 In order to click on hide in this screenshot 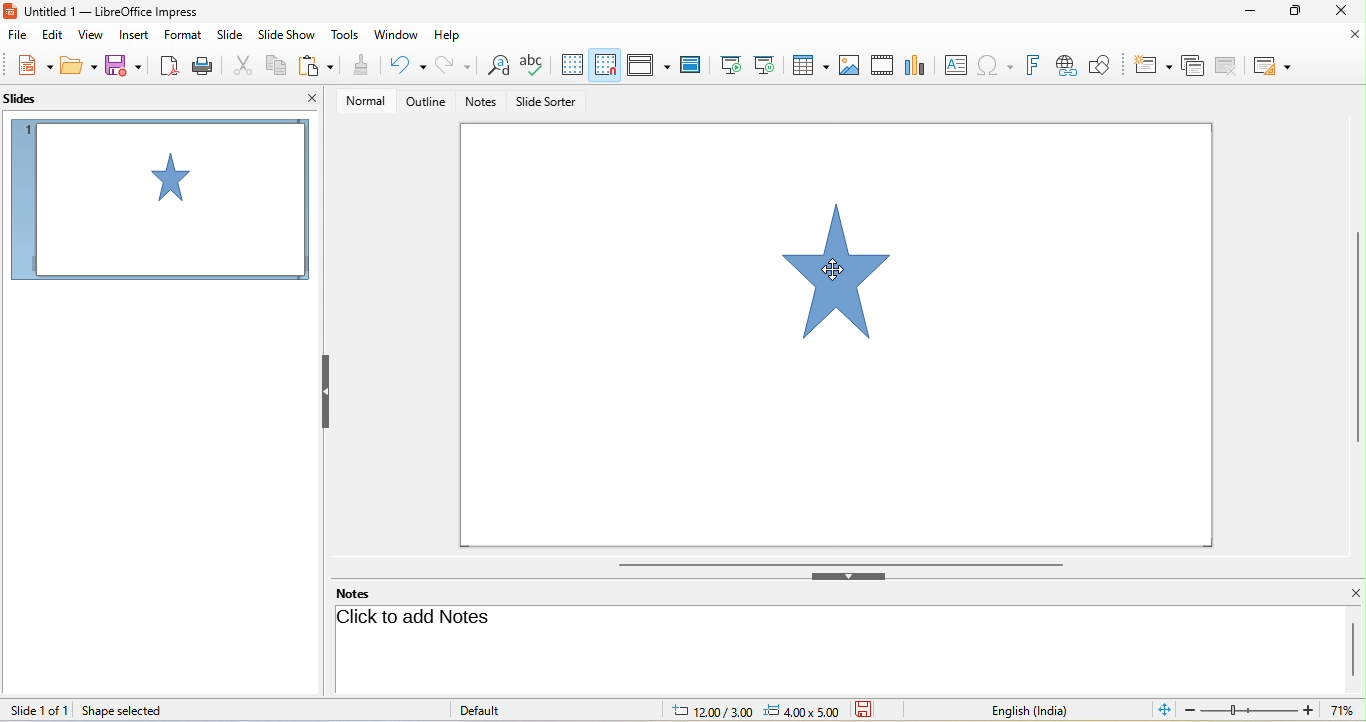, I will do `click(850, 576)`.